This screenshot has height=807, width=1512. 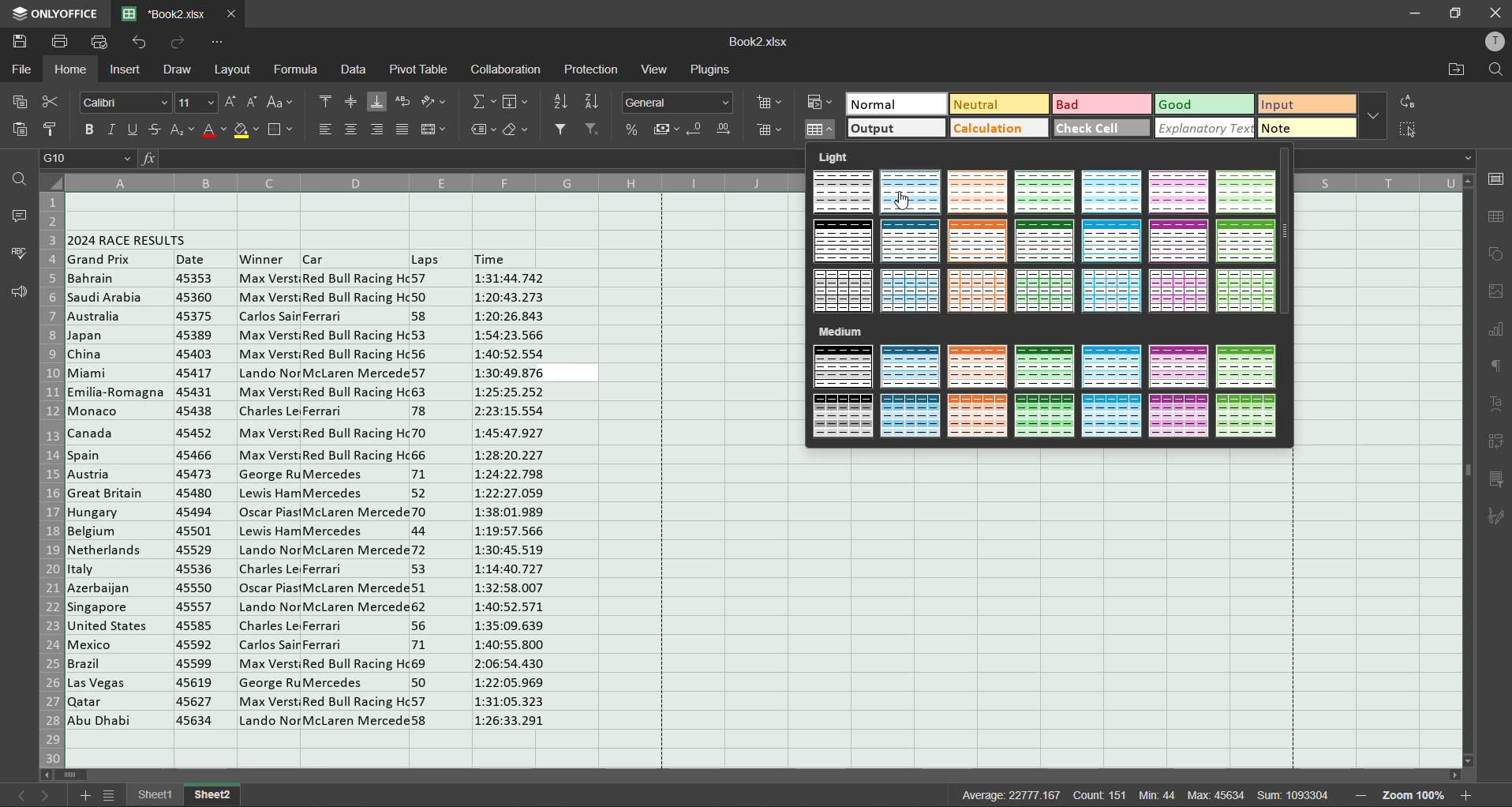 I want to click on table style medium 12, so click(x=1110, y=415).